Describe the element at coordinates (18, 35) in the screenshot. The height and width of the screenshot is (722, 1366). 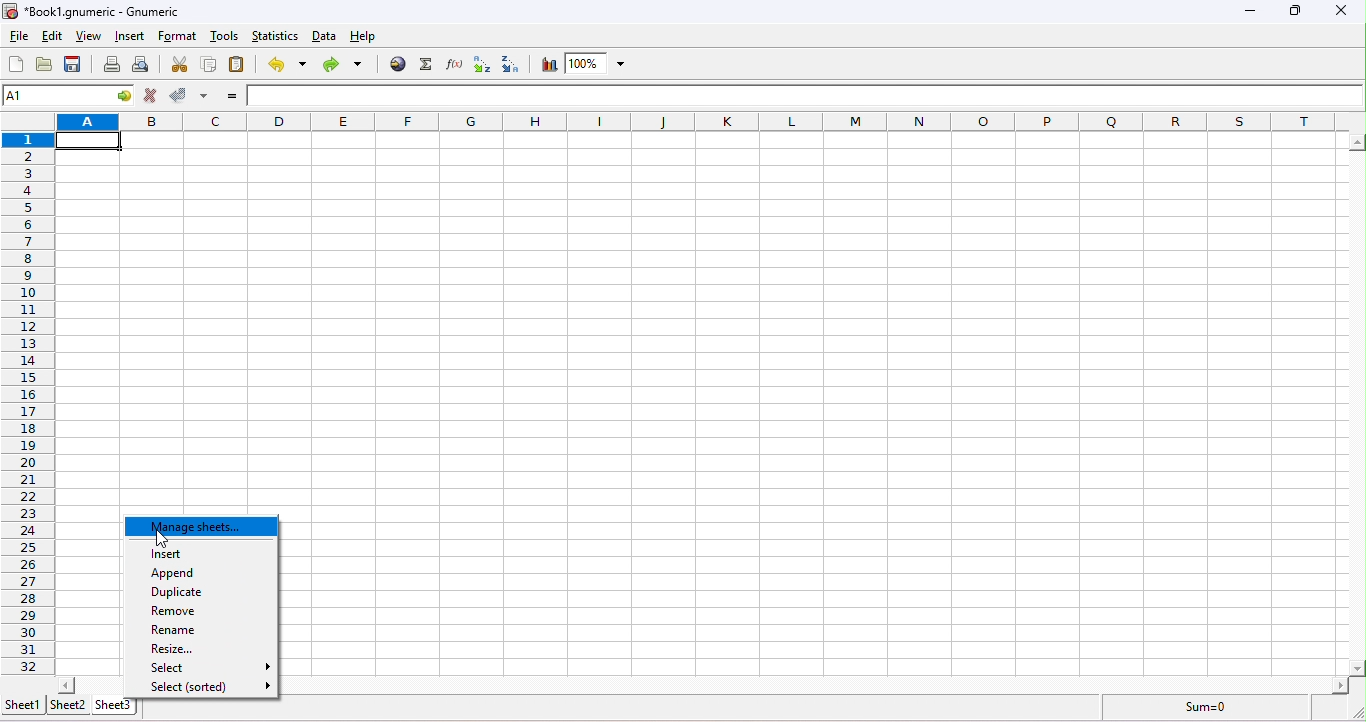
I see `file` at that location.